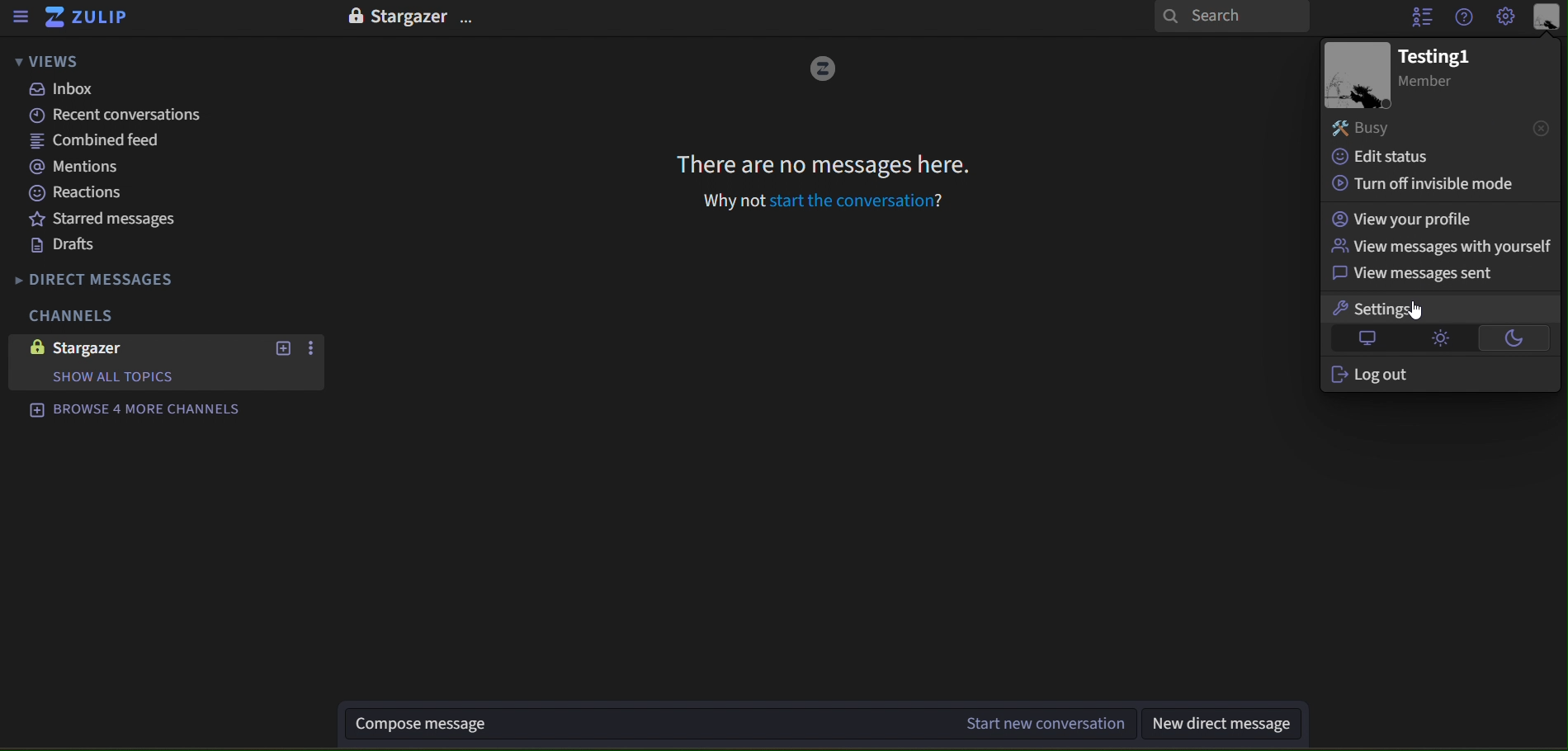 This screenshot has width=1568, height=751. Describe the element at coordinates (1372, 376) in the screenshot. I see `log out` at that location.